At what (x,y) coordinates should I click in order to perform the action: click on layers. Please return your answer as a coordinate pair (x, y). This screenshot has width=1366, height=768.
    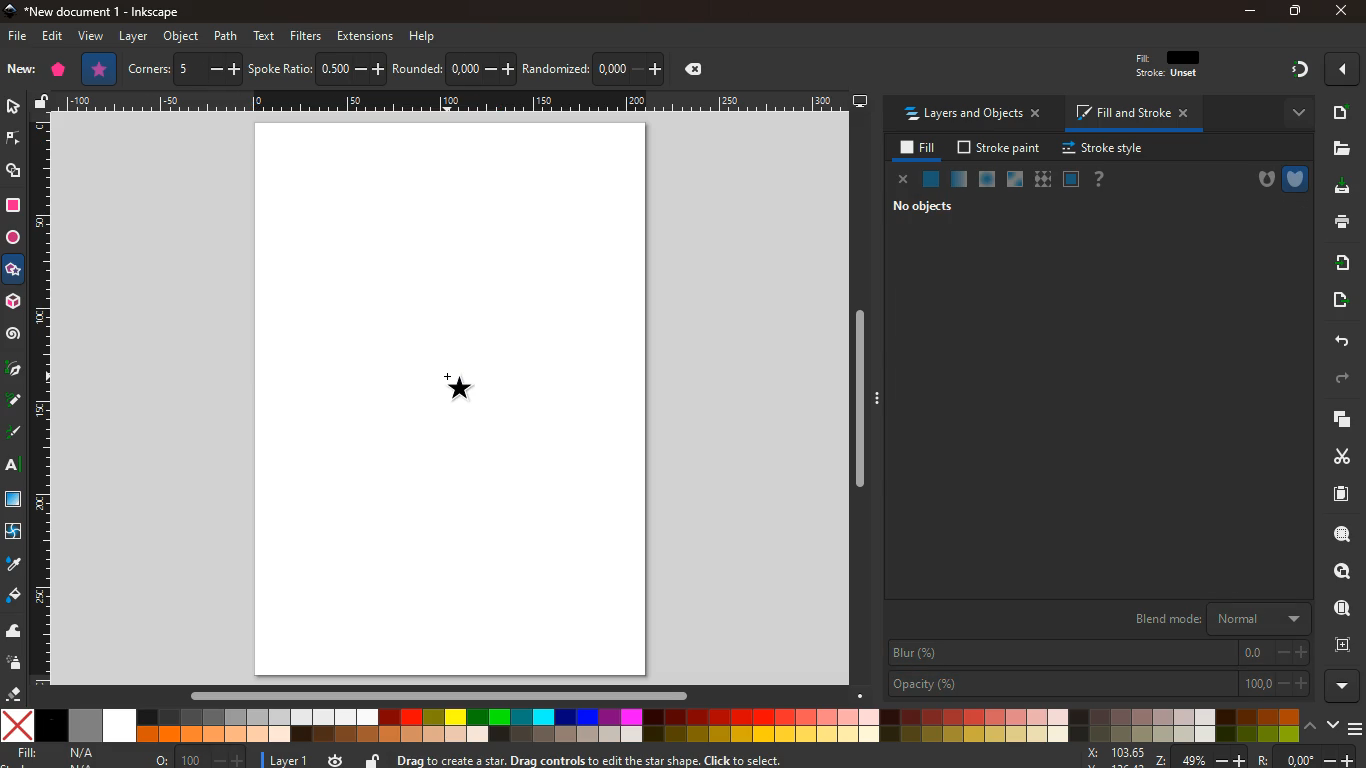
    Looking at the image, I should click on (1334, 419).